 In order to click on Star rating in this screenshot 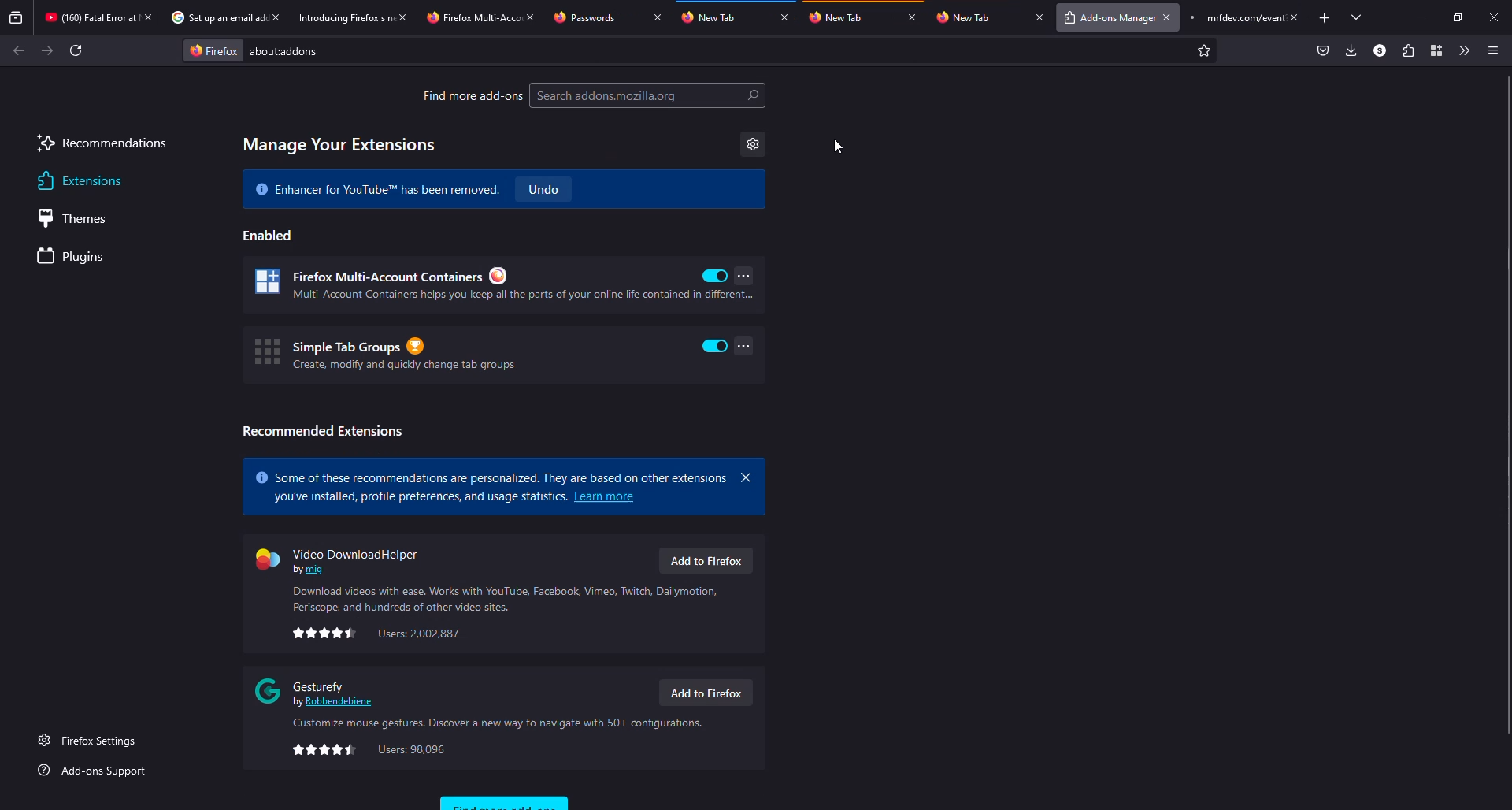, I will do `click(327, 634)`.